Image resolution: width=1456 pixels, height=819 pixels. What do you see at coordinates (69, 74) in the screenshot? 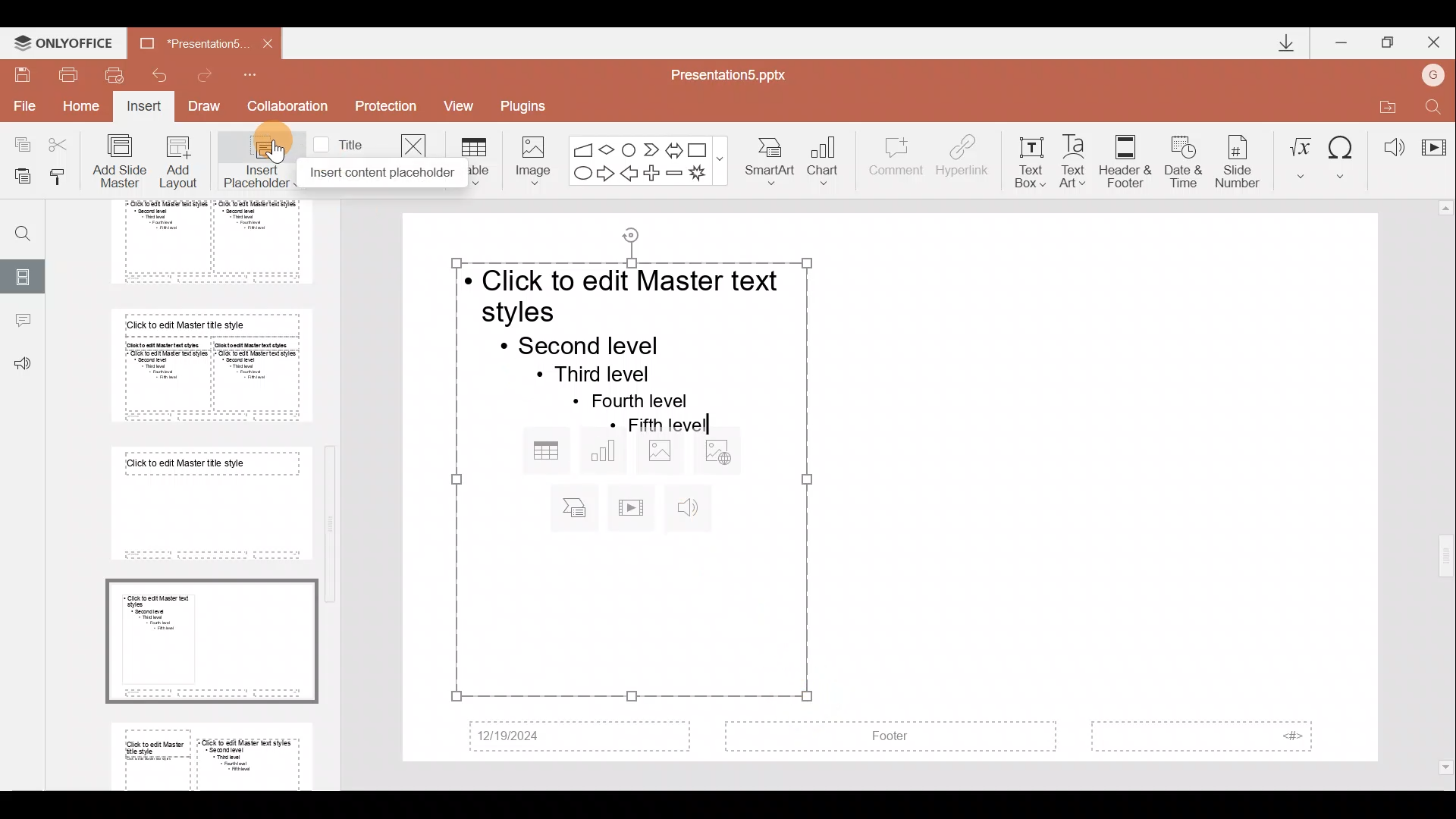
I see `Print file` at bounding box center [69, 74].